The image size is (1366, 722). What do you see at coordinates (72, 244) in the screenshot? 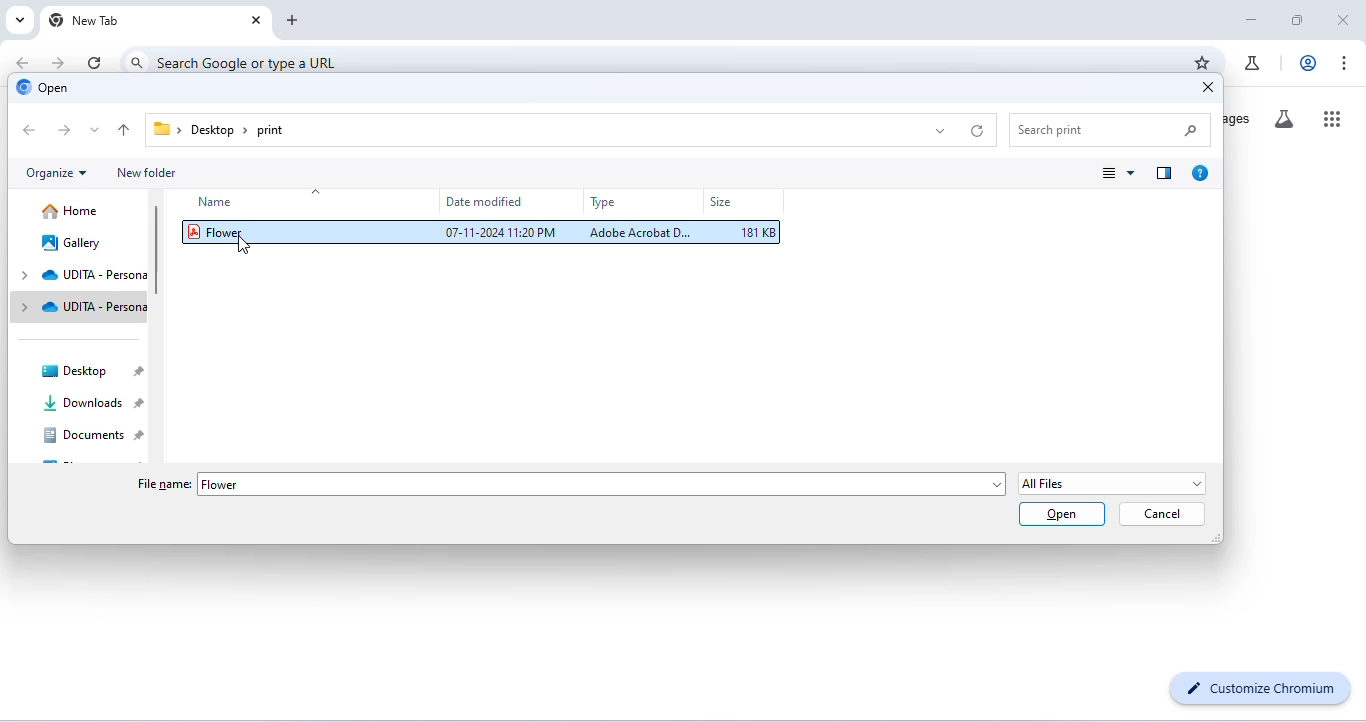
I see `gallery` at bounding box center [72, 244].